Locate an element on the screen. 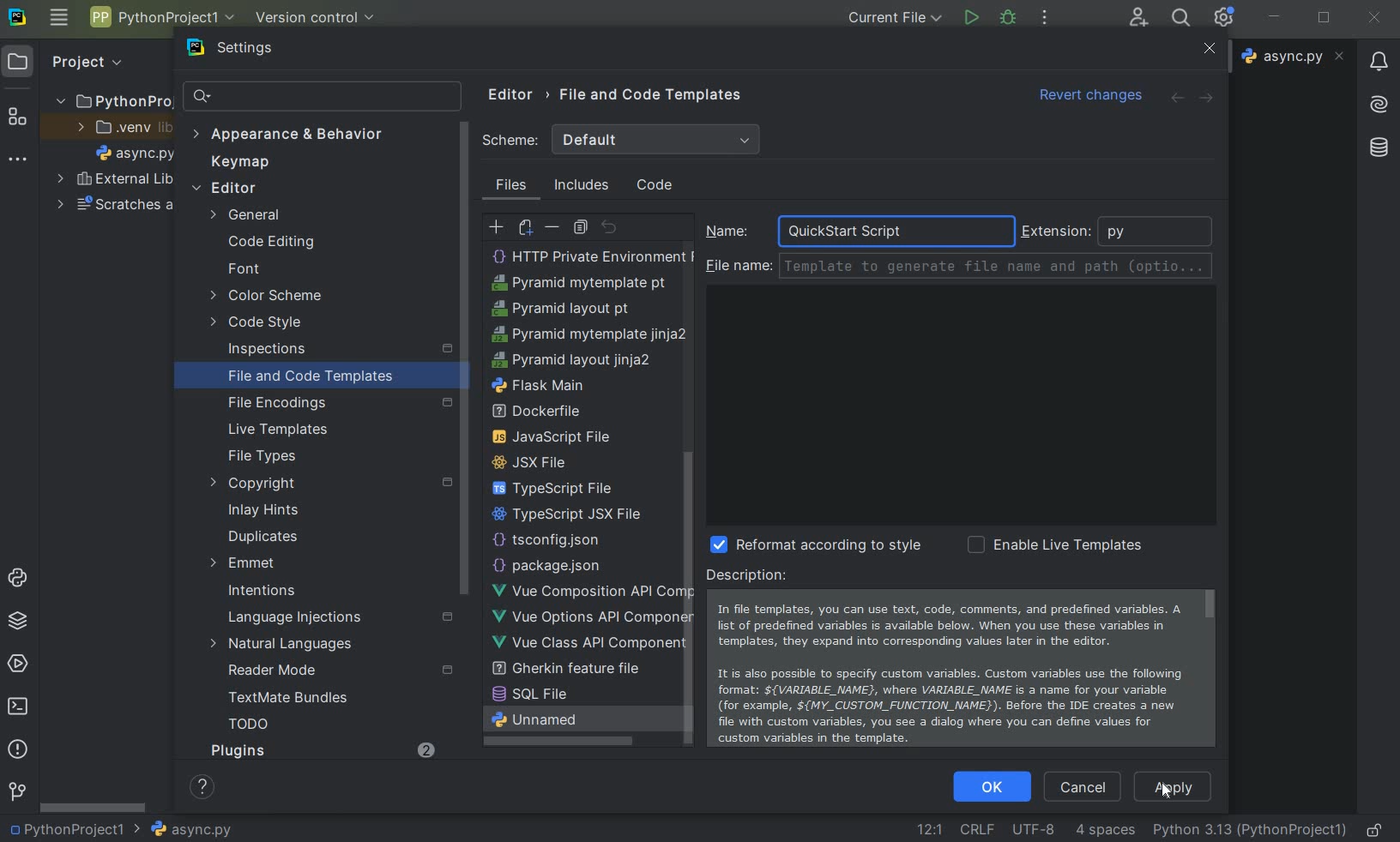 The image size is (1400, 842). current interpreter is located at coordinates (1252, 831).